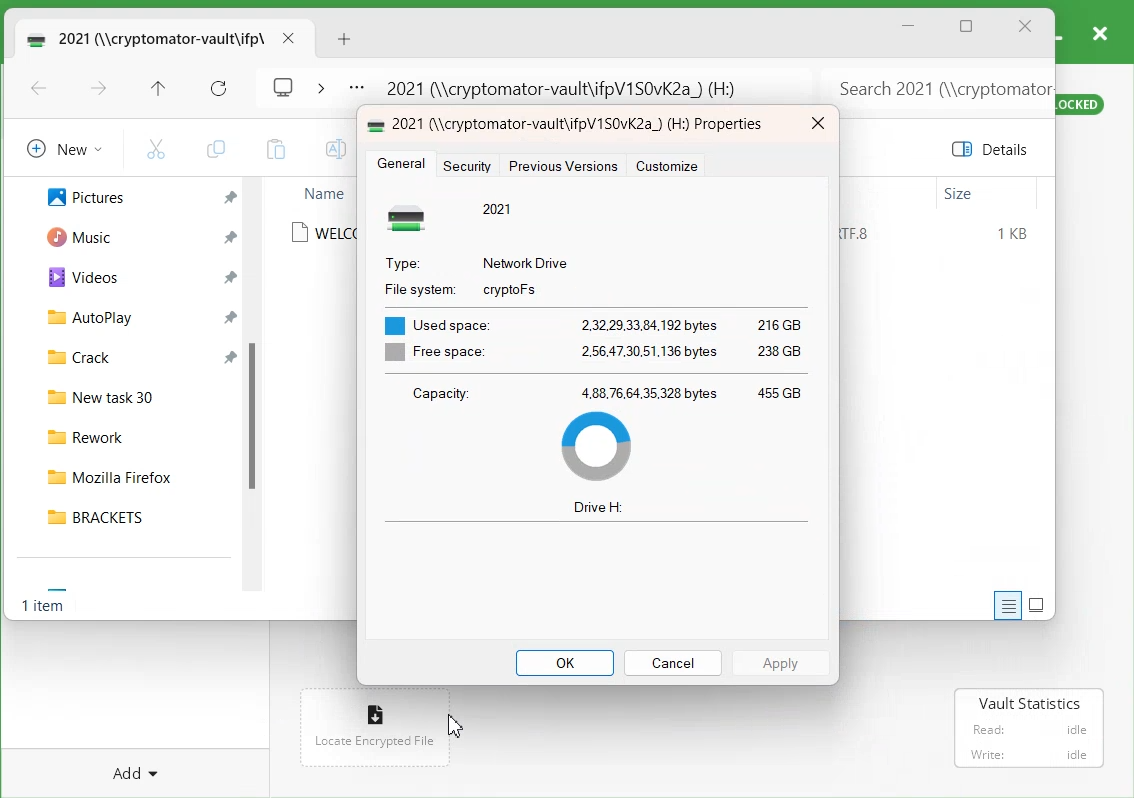  What do you see at coordinates (935, 83) in the screenshot?
I see `Search bar` at bounding box center [935, 83].